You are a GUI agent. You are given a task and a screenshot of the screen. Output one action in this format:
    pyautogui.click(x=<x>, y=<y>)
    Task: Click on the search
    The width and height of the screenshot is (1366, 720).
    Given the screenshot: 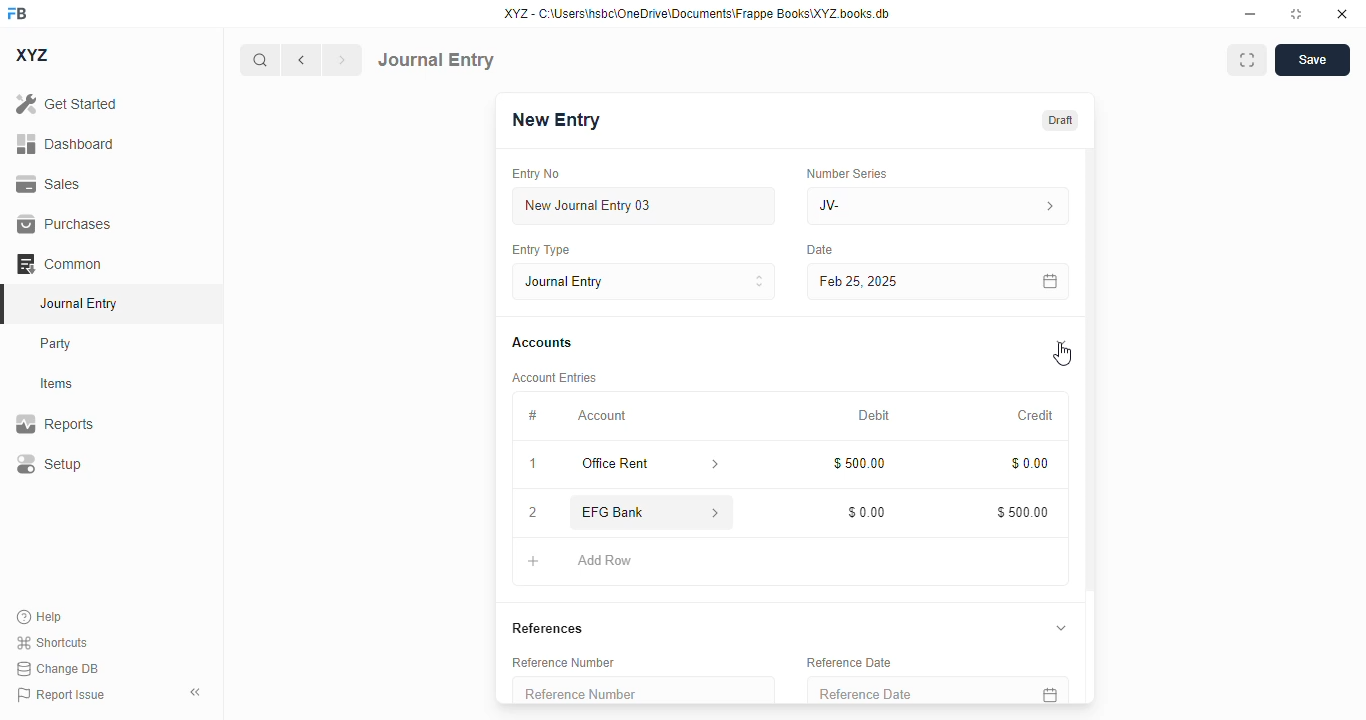 What is the action you would take?
    pyautogui.click(x=259, y=60)
    